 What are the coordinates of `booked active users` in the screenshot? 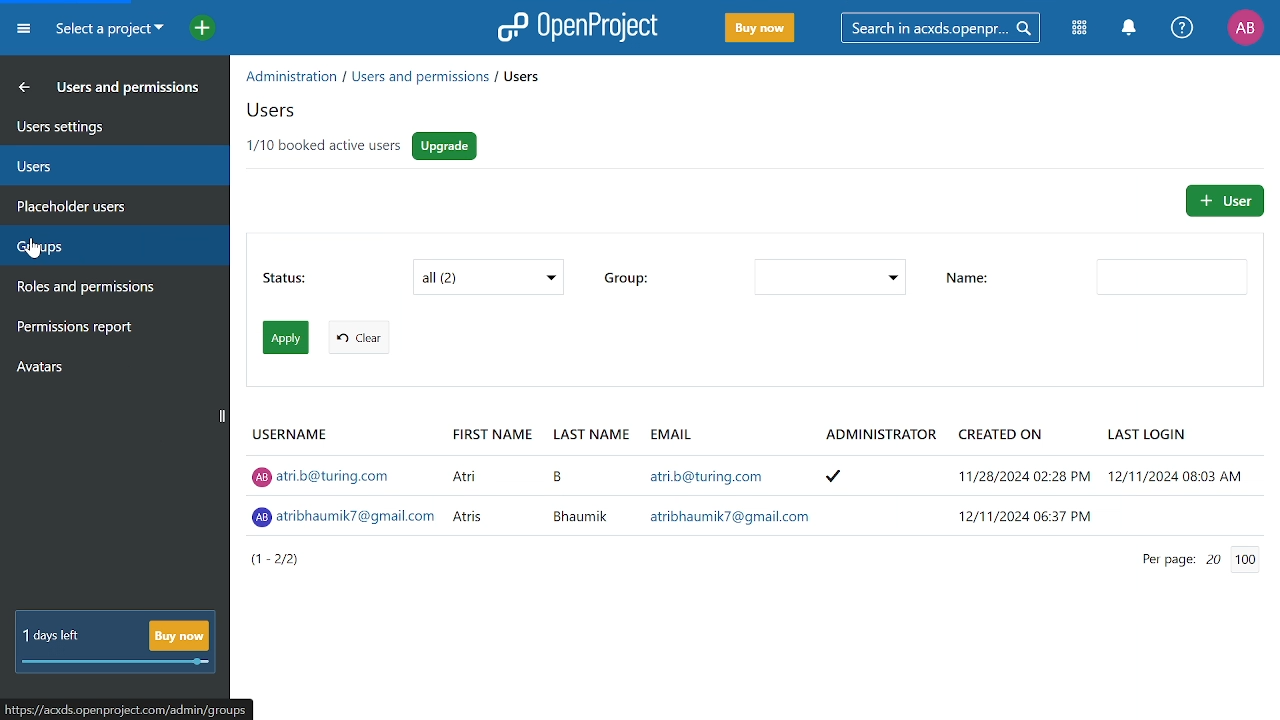 It's located at (326, 145).